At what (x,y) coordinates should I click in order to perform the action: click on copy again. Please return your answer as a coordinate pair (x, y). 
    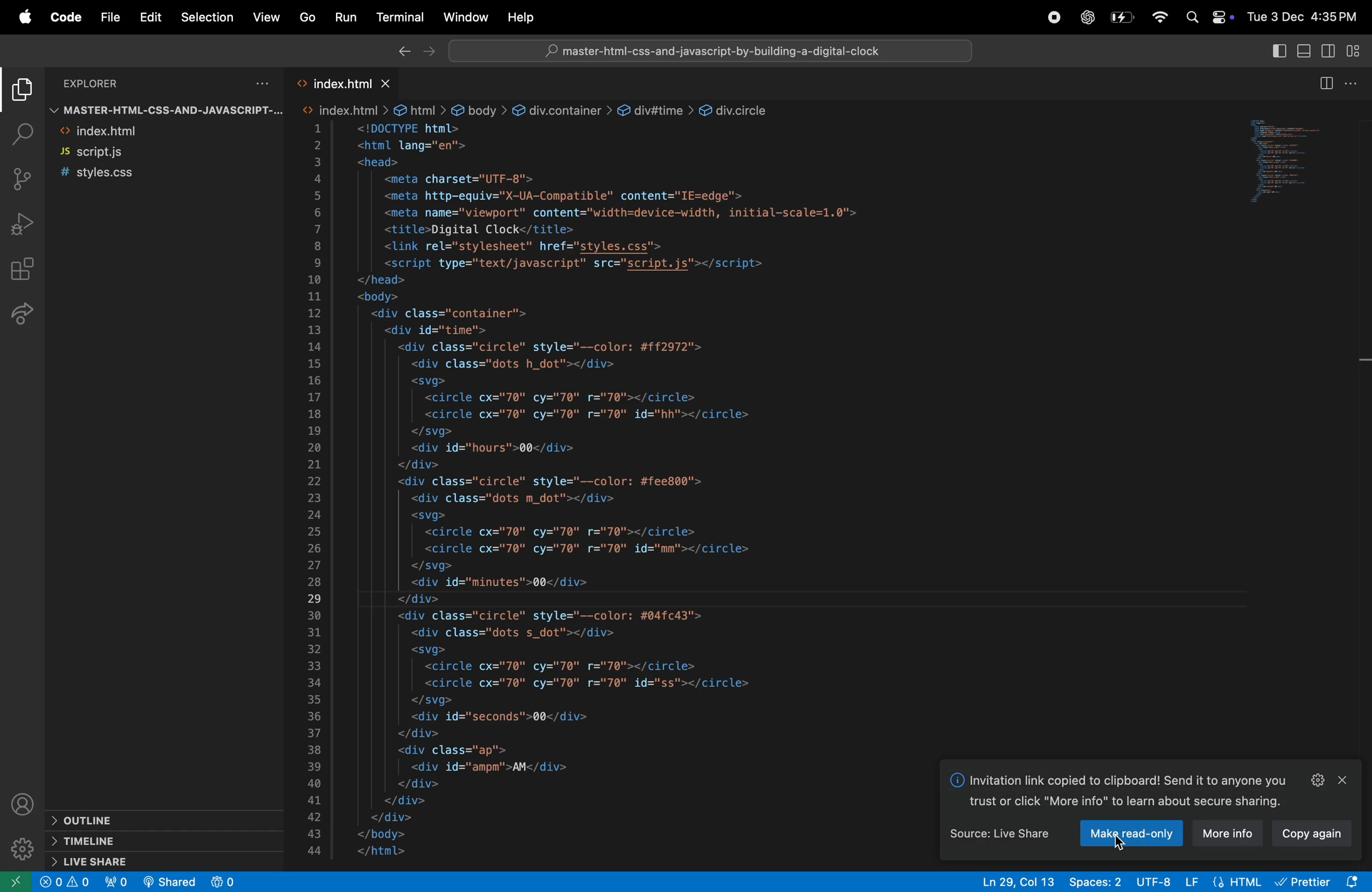
    Looking at the image, I should click on (1322, 837).